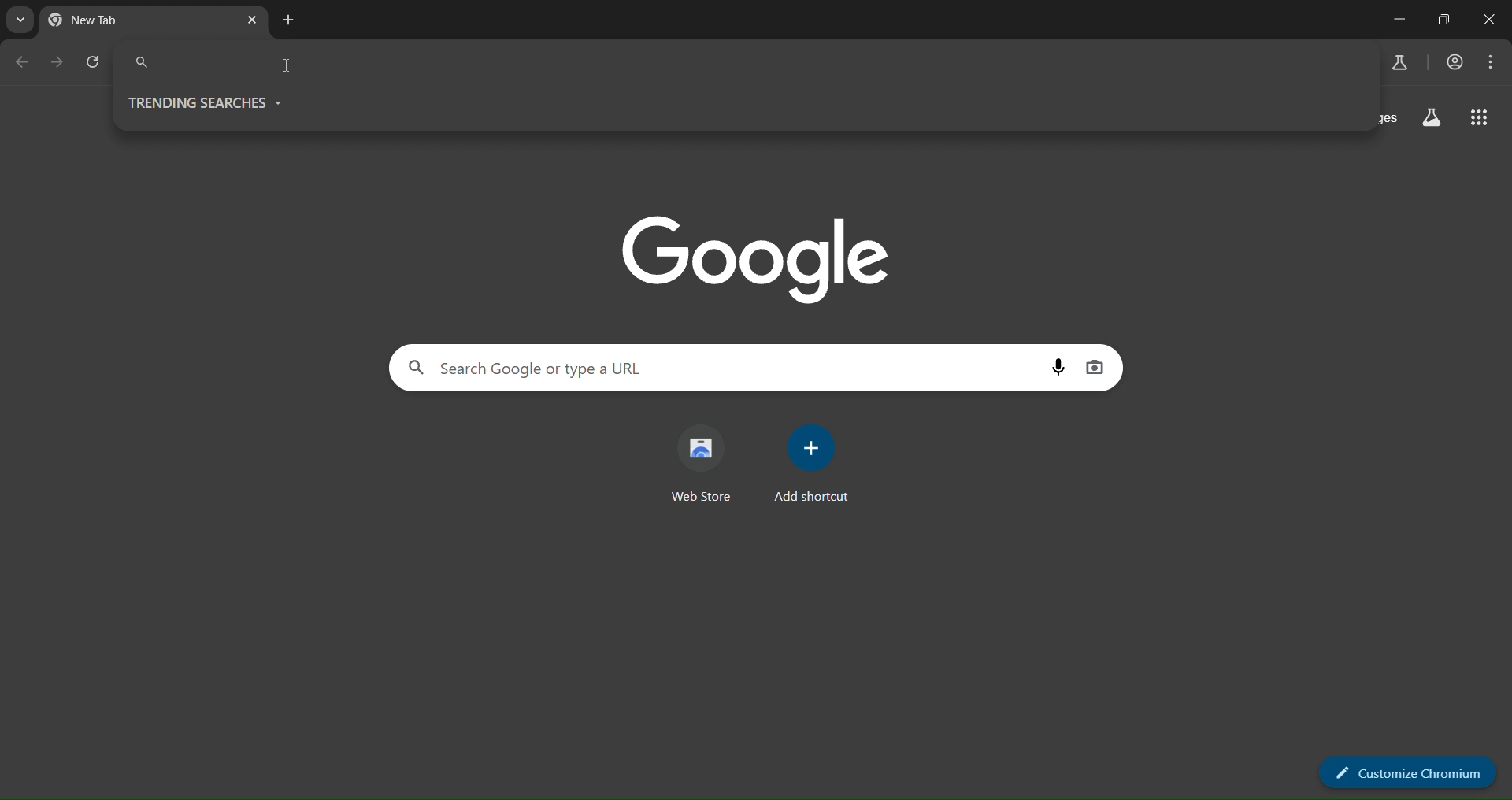 Image resolution: width=1512 pixels, height=800 pixels. What do you see at coordinates (1432, 117) in the screenshot?
I see `search labs` at bounding box center [1432, 117].